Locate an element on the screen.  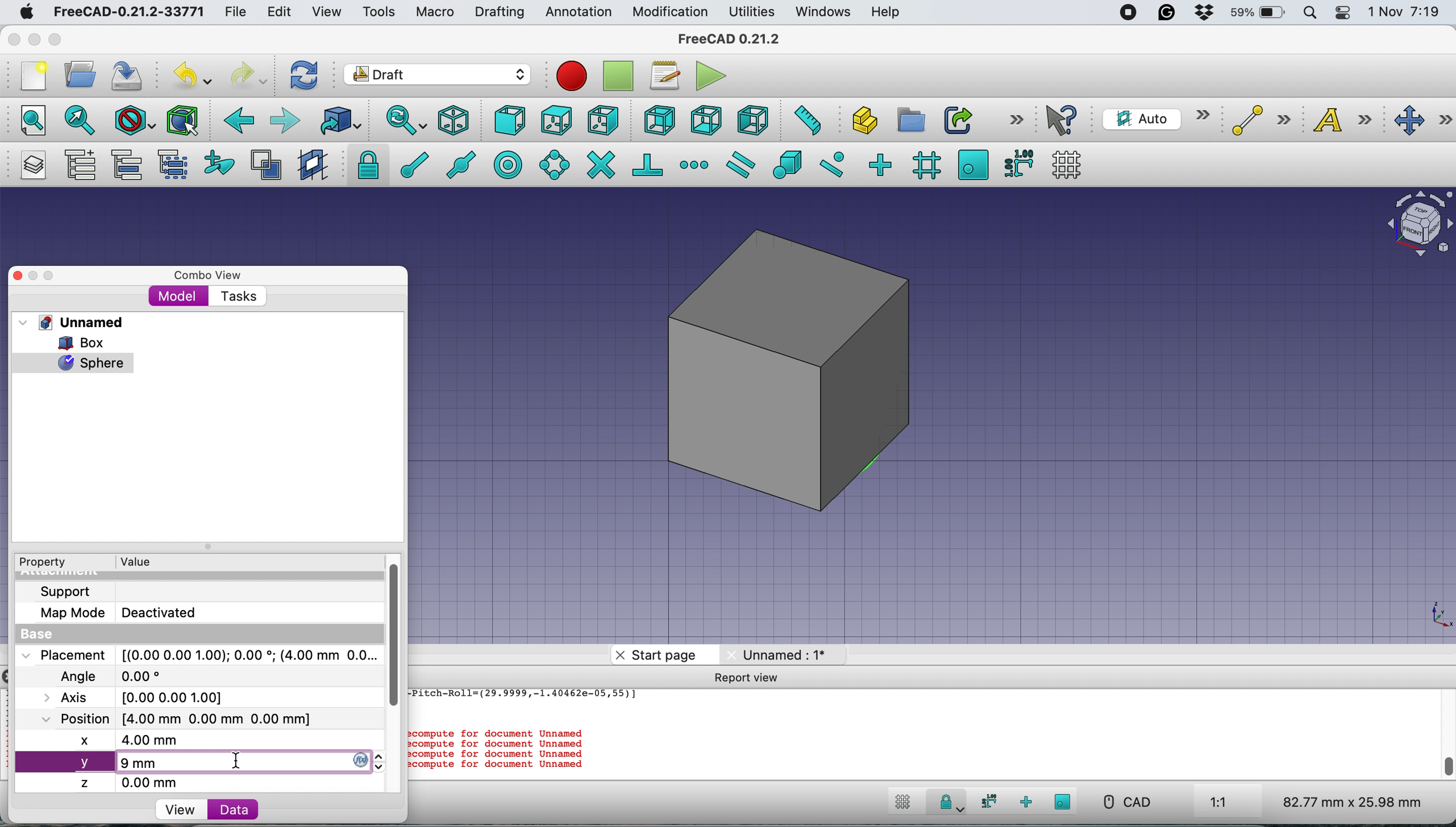
more options is located at coordinates (1016, 119).